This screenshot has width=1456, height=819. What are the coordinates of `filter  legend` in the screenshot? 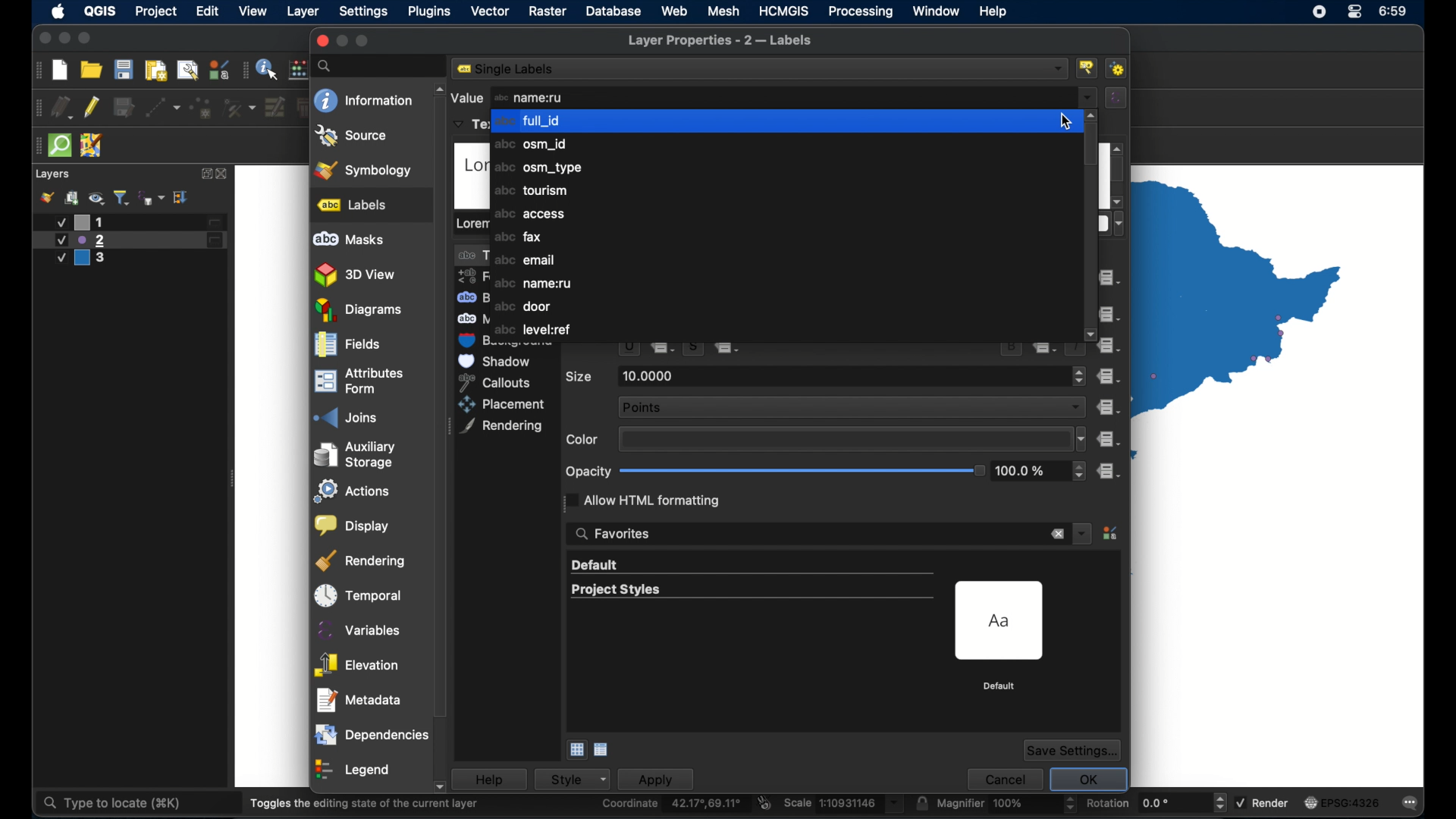 It's located at (122, 197).